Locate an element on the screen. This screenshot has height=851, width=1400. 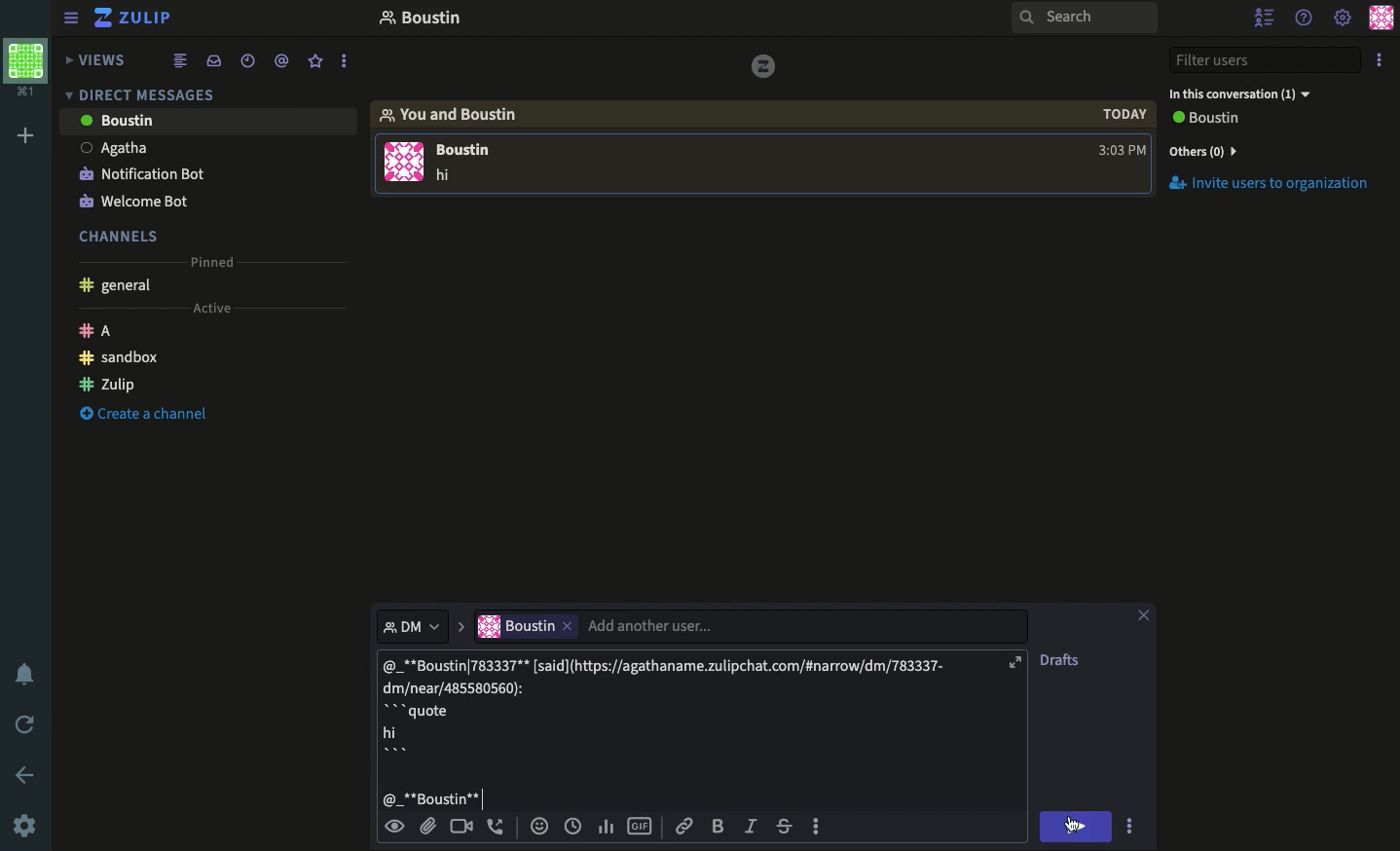
drafts is located at coordinates (1063, 661).